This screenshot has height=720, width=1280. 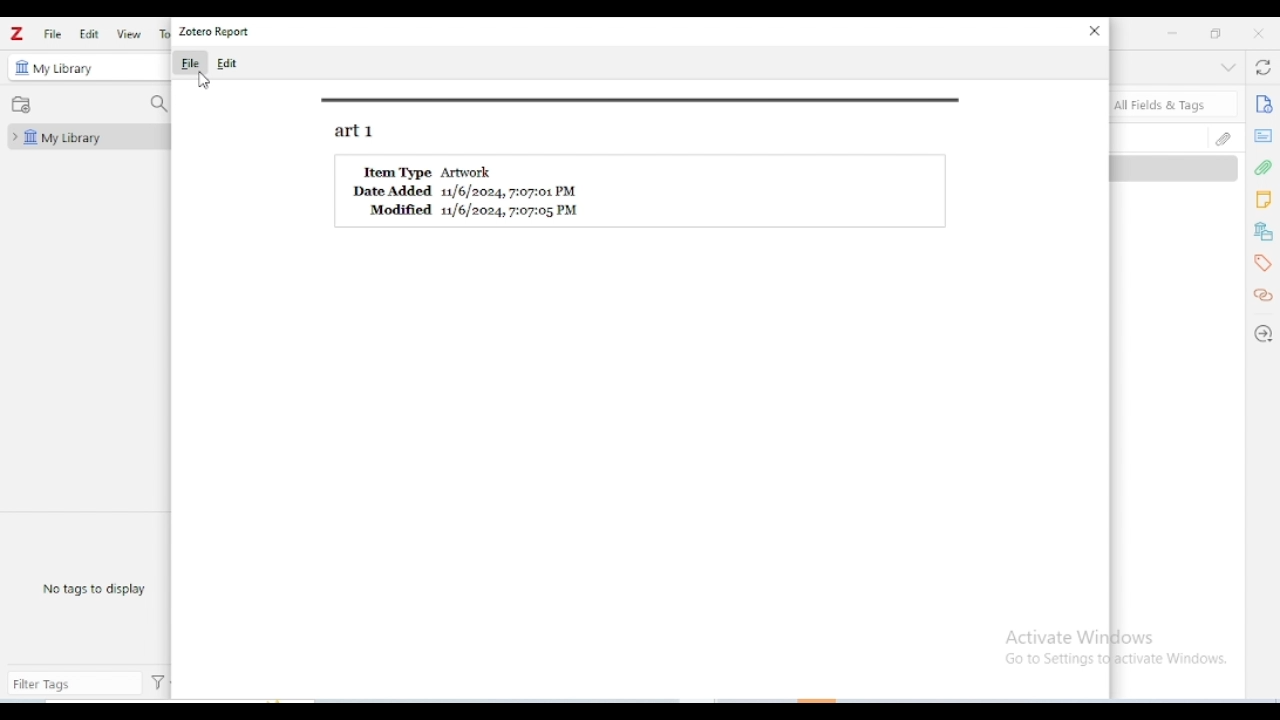 What do you see at coordinates (1265, 264) in the screenshot?
I see `tags` at bounding box center [1265, 264].